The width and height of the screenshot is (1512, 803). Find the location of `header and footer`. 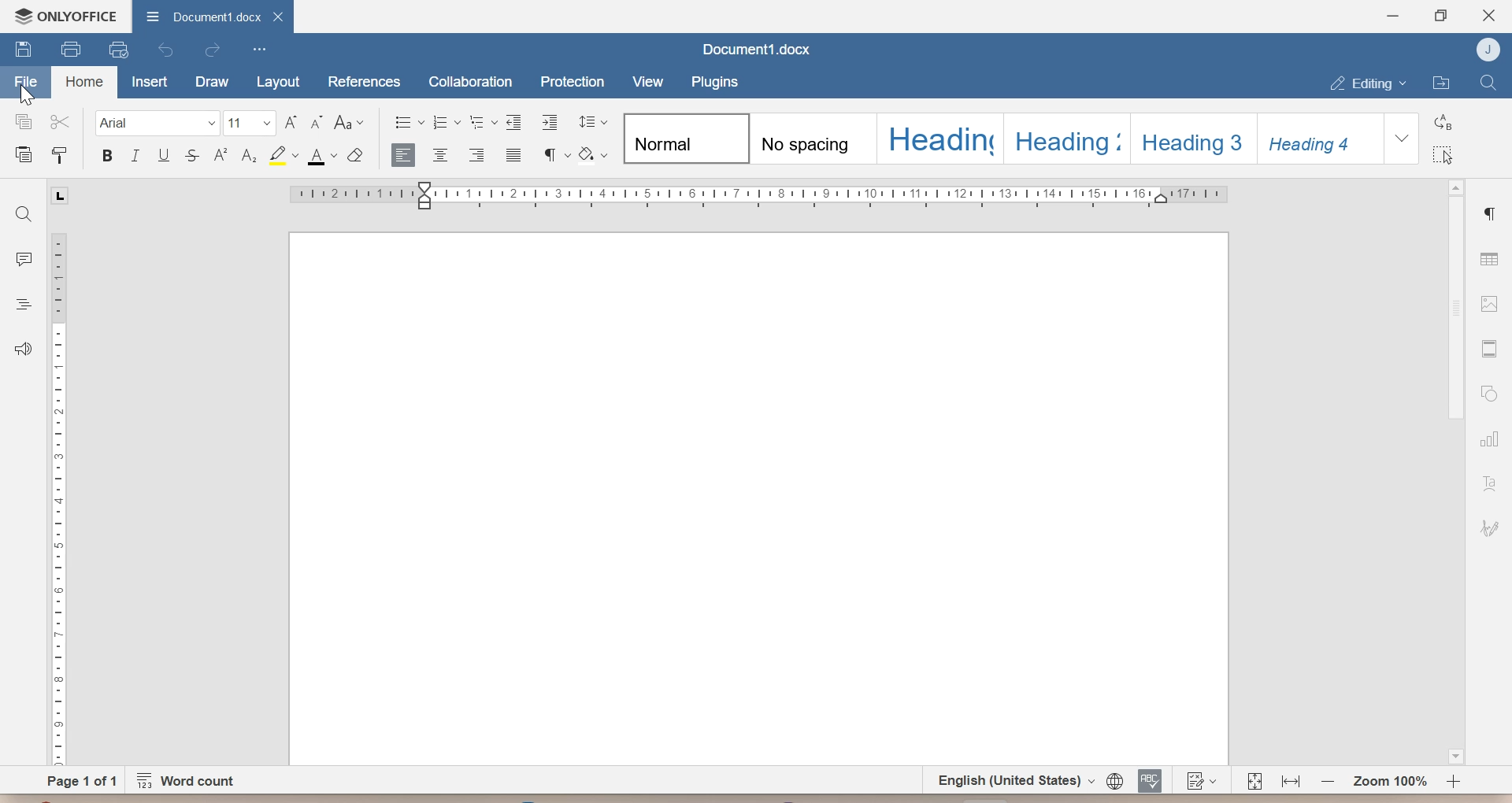

header and footer is located at coordinates (1488, 349).